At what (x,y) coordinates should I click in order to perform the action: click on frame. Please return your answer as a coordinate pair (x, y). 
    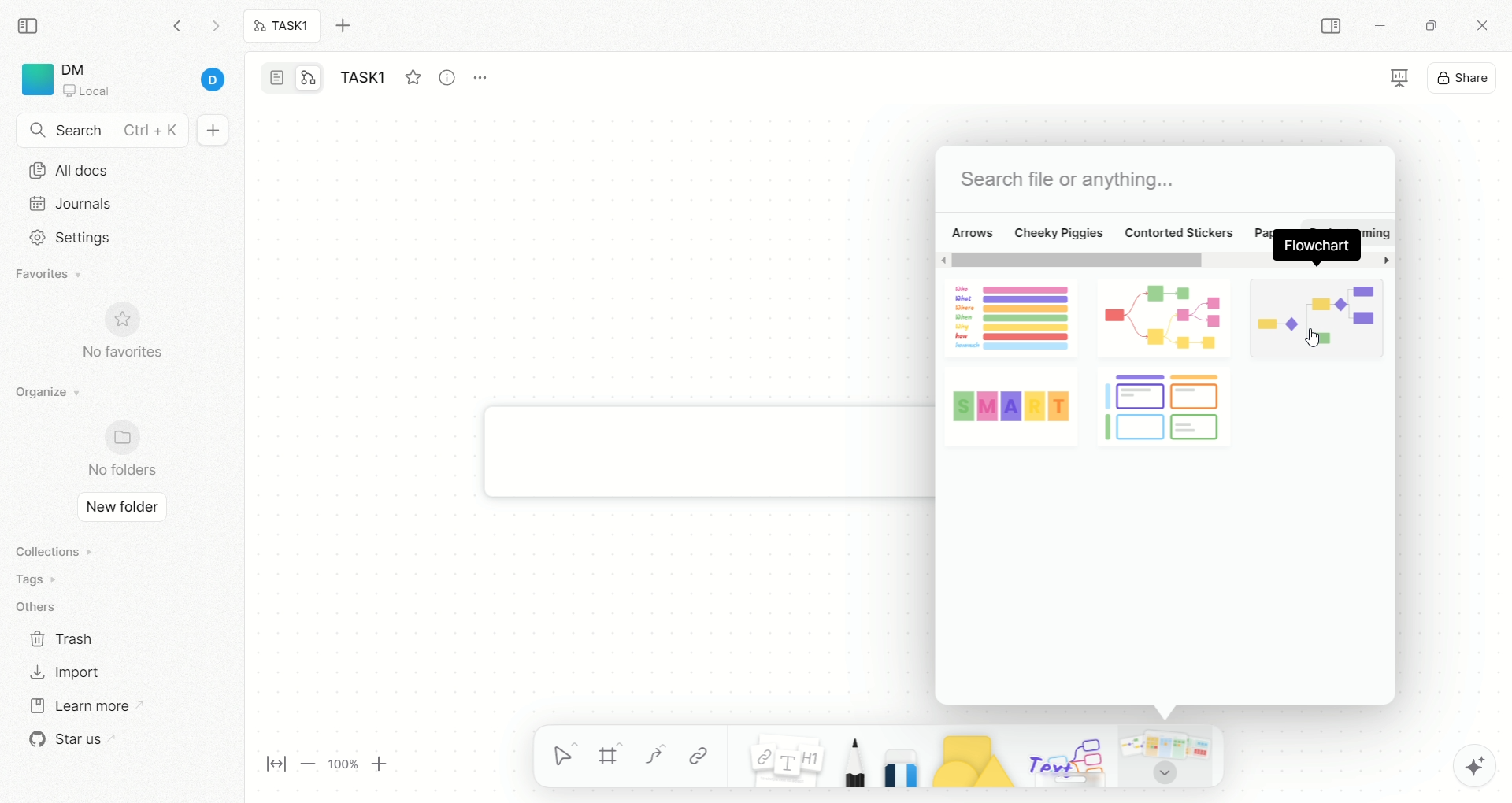
    Looking at the image, I should click on (617, 758).